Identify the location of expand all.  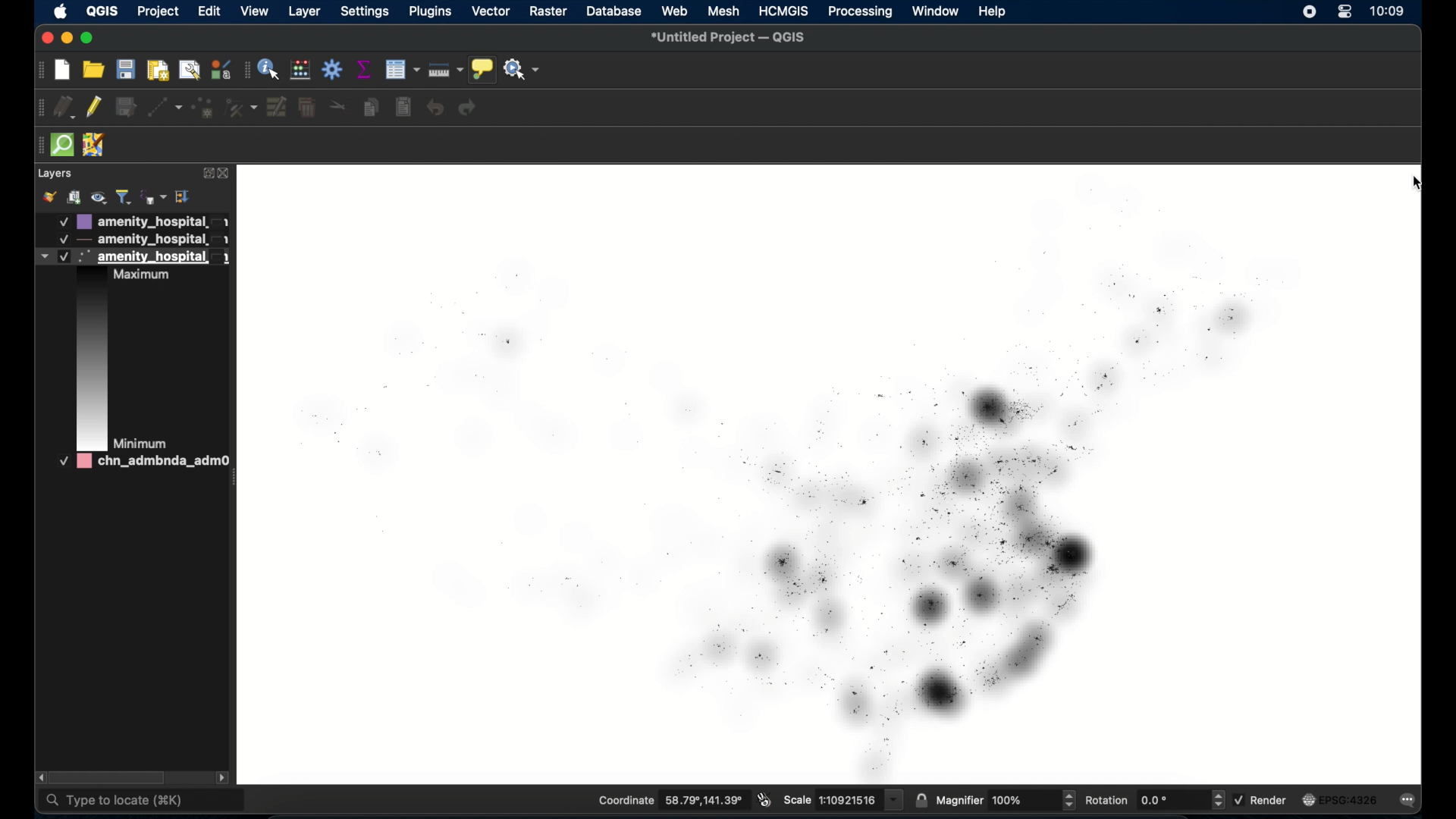
(184, 197).